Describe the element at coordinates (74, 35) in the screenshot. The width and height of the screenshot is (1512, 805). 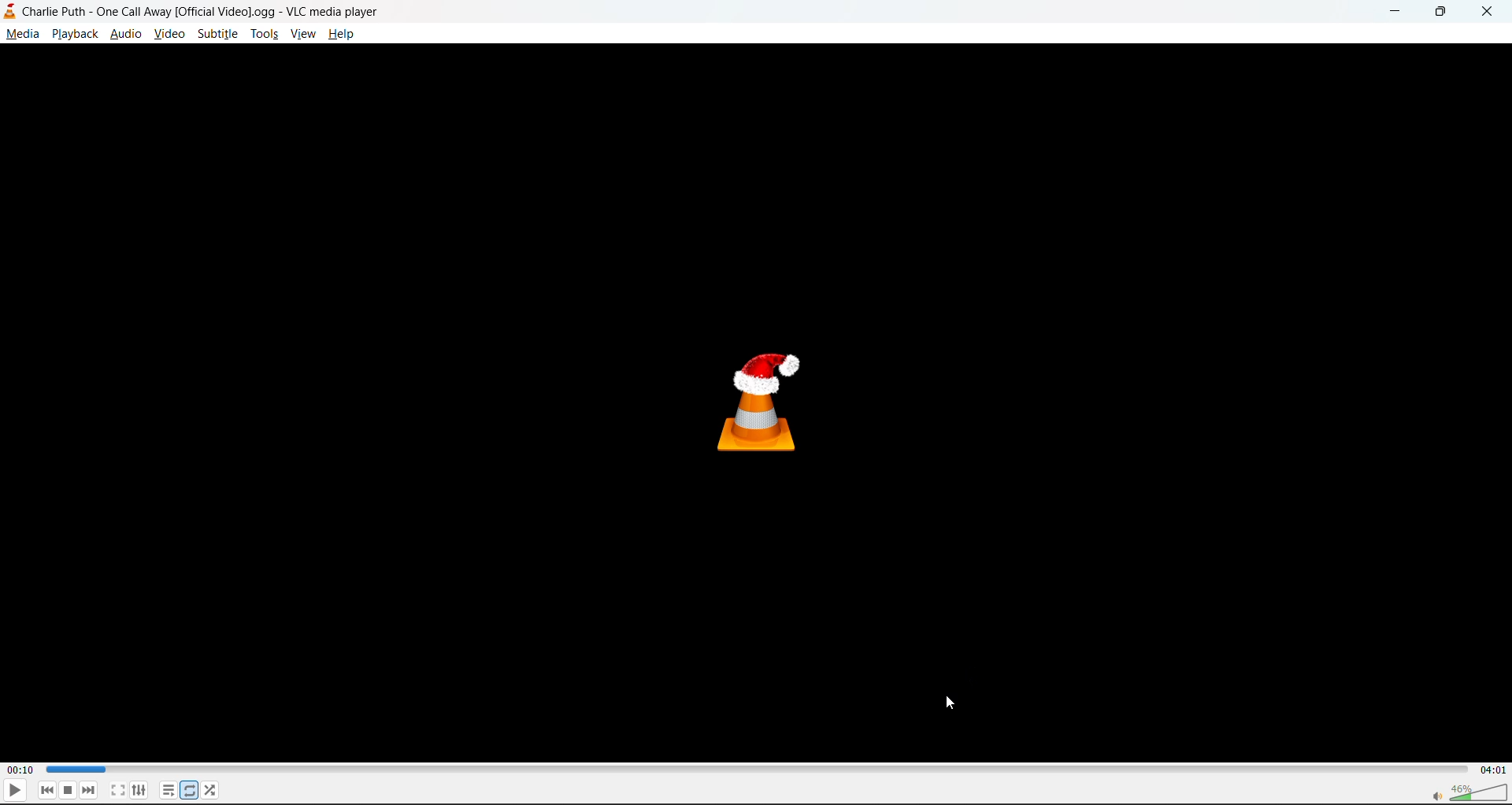
I see `playback` at that location.